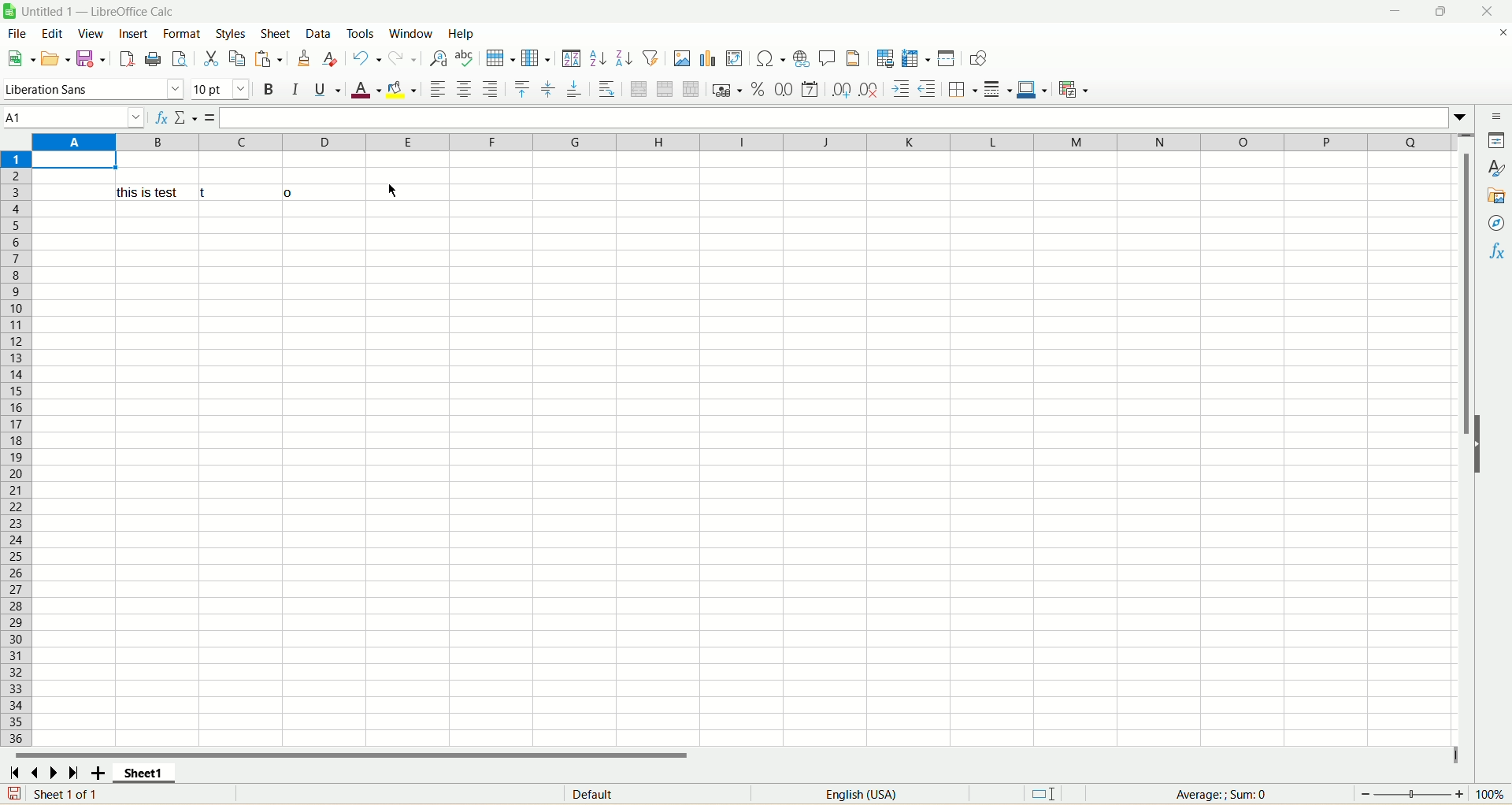 The width and height of the screenshot is (1512, 805). What do you see at coordinates (727, 91) in the screenshot?
I see `format as currency` at bounding box center [727, 91].